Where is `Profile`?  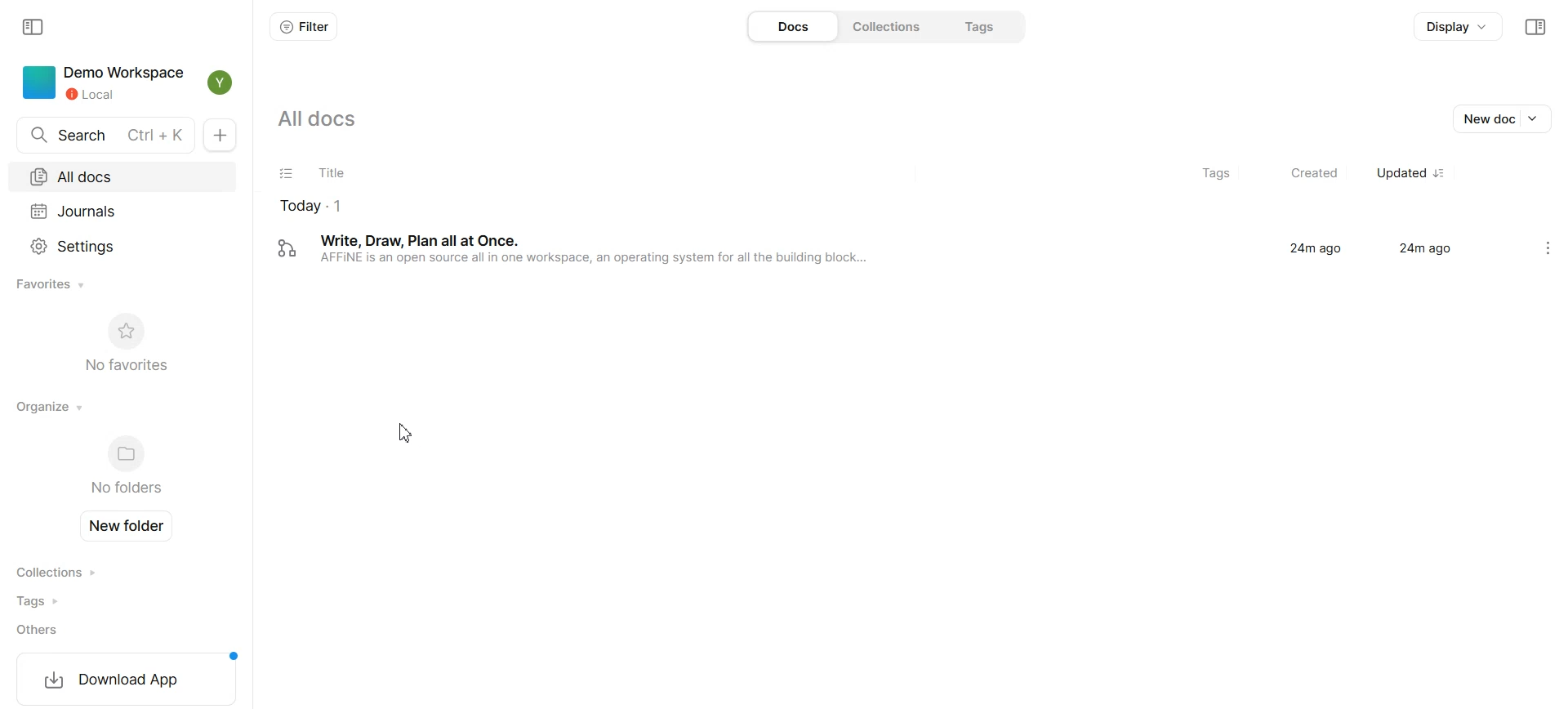 Profile is located at coordinates (220, 82).